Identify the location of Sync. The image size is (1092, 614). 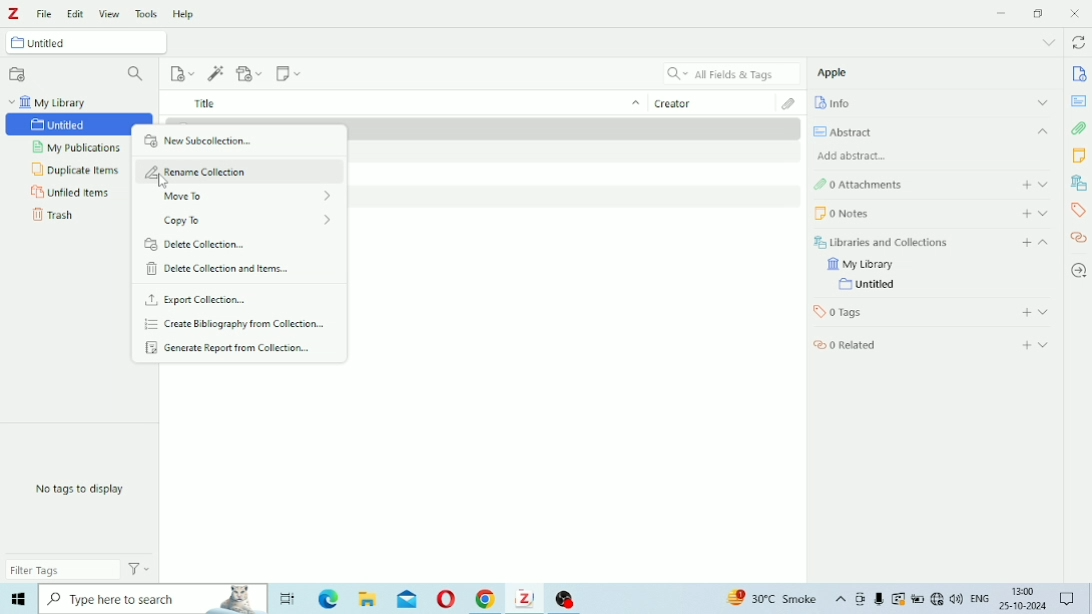
(1079, 42).